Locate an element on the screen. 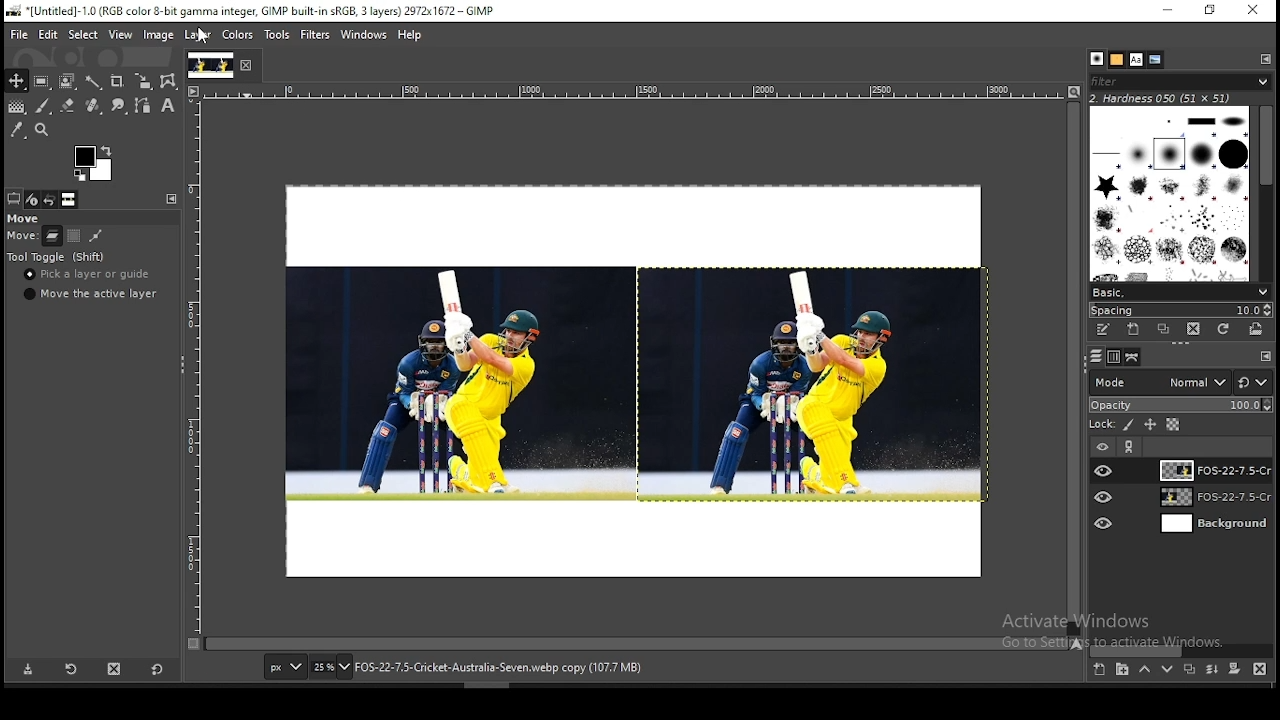  brush presets is located at coordinates (1180, 291).